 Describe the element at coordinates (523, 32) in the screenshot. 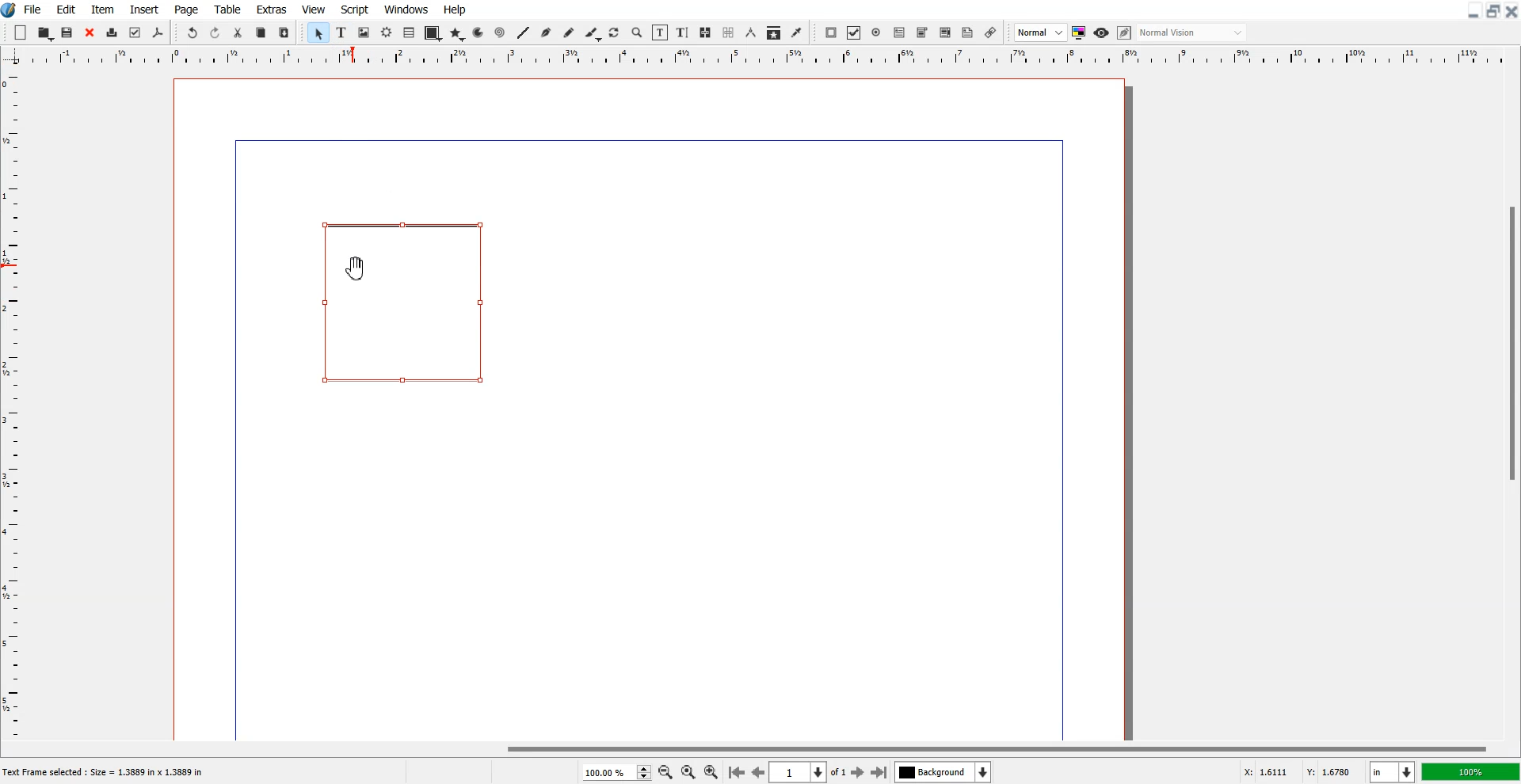

I see `Line` at that location.